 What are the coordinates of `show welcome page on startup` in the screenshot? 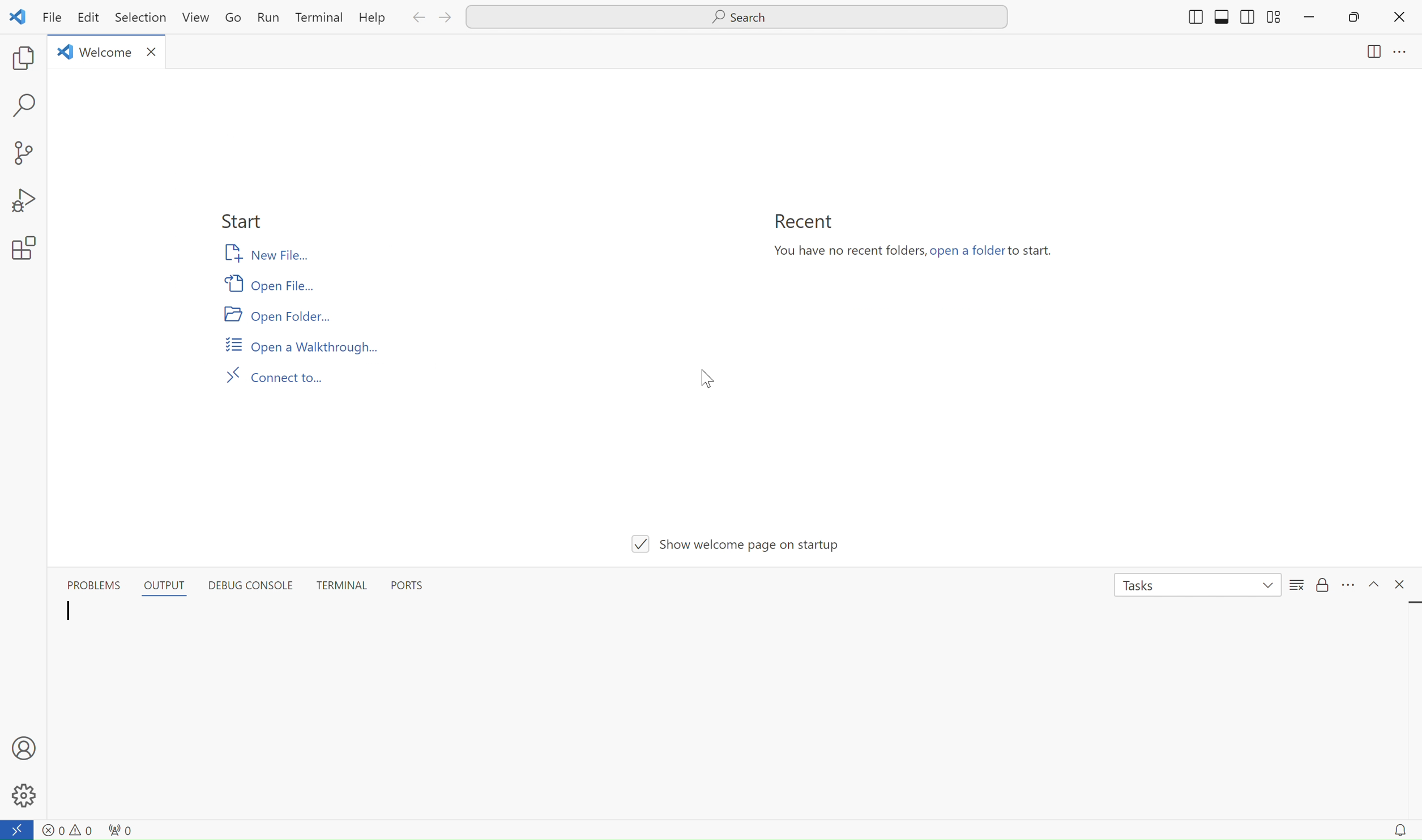 It's located at (736, 544).